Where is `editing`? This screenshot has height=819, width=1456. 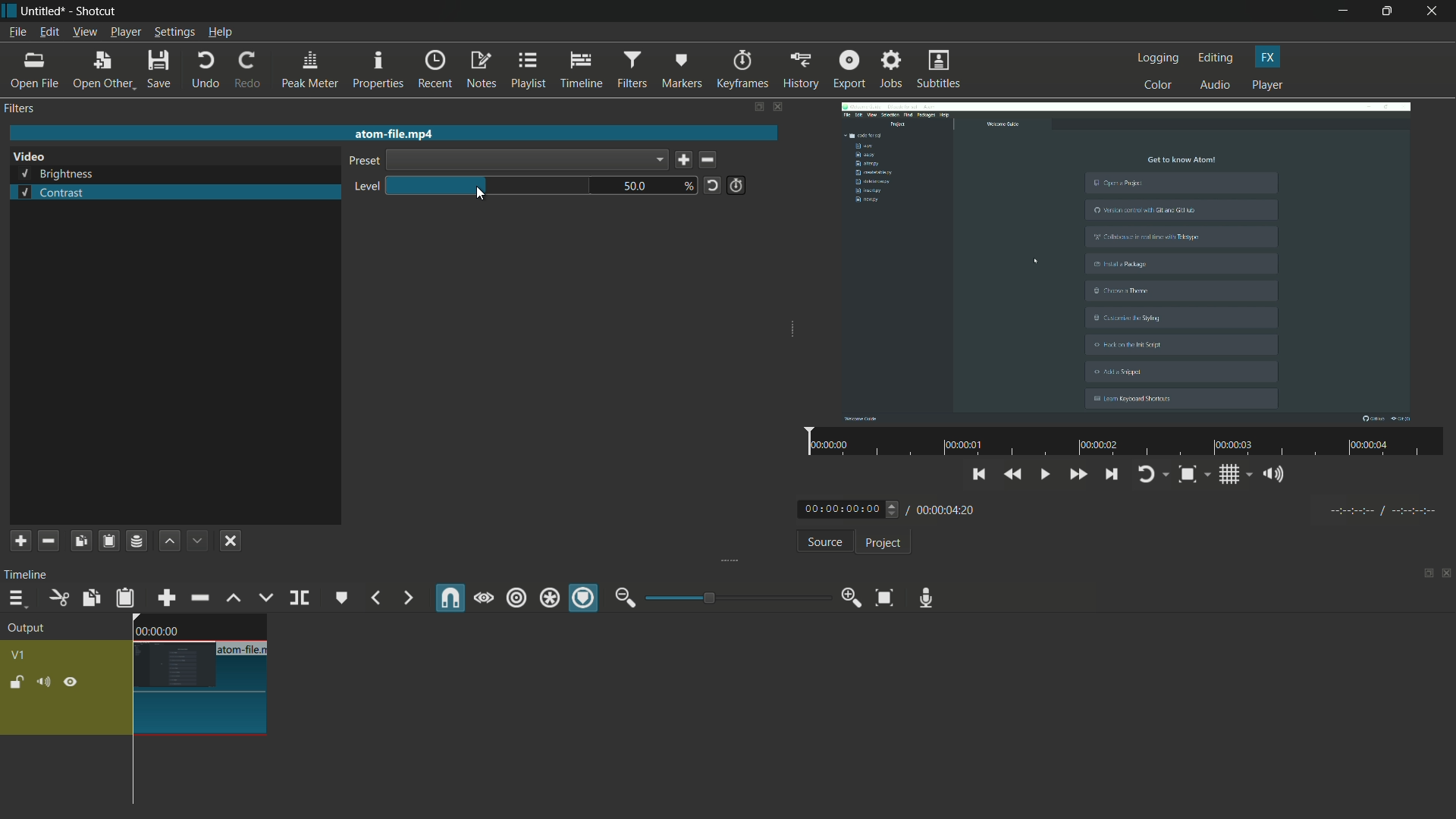 editing is located at coordinates (1216, 58).